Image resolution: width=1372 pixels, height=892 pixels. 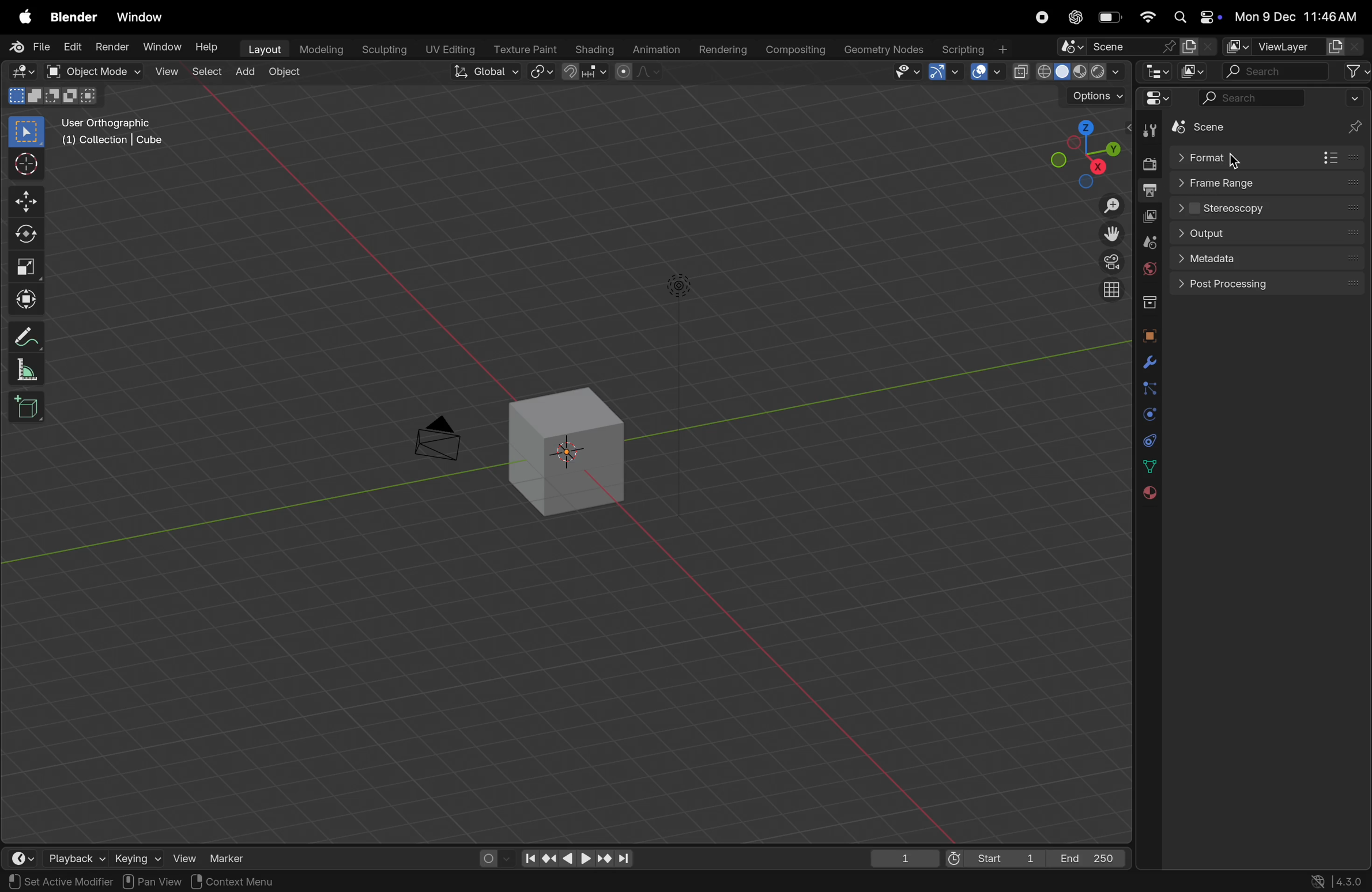 I want to click on region, so click(x=116, y=882).